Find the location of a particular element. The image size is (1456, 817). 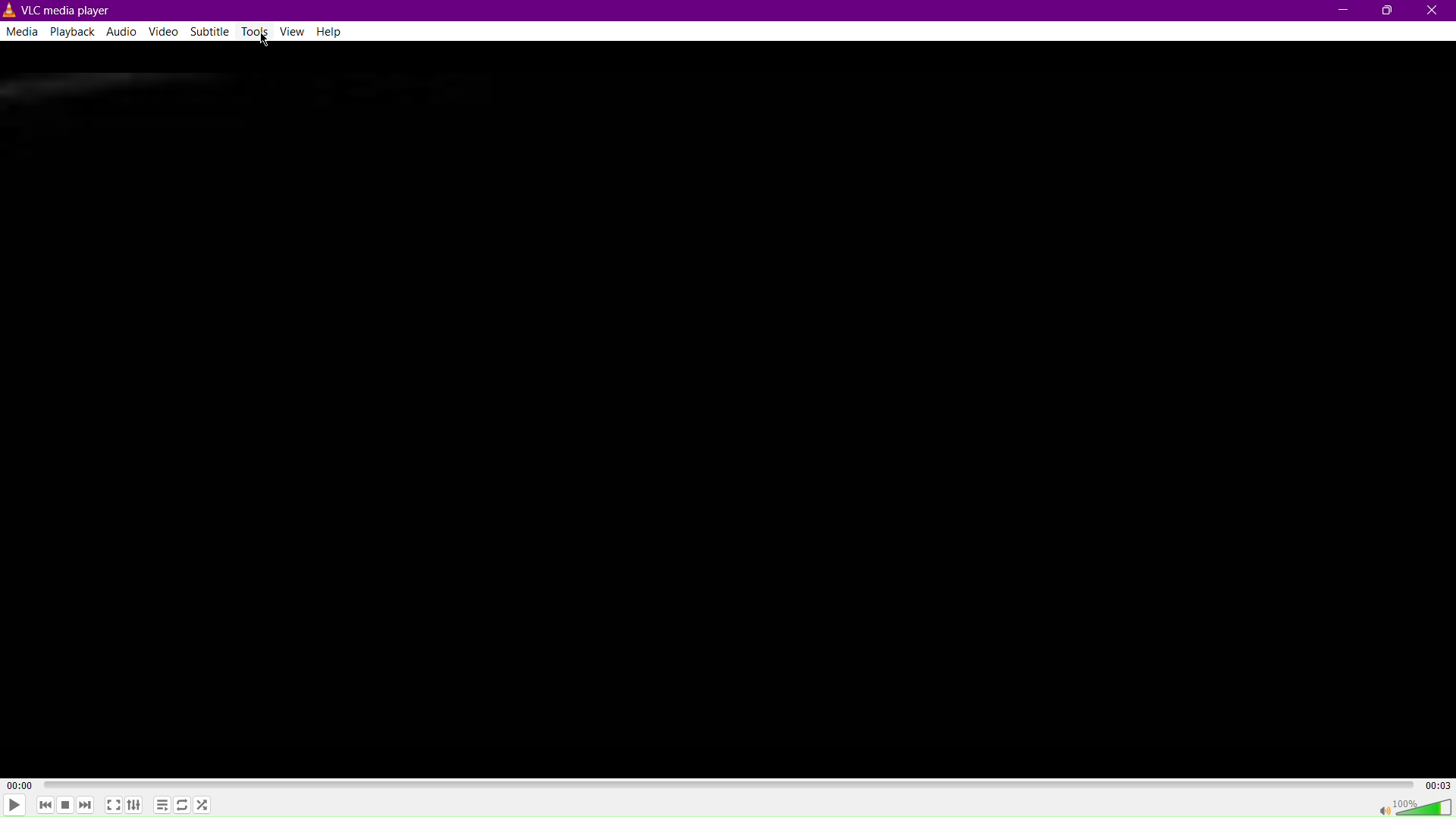

Help is located at coordinates (334, 32).